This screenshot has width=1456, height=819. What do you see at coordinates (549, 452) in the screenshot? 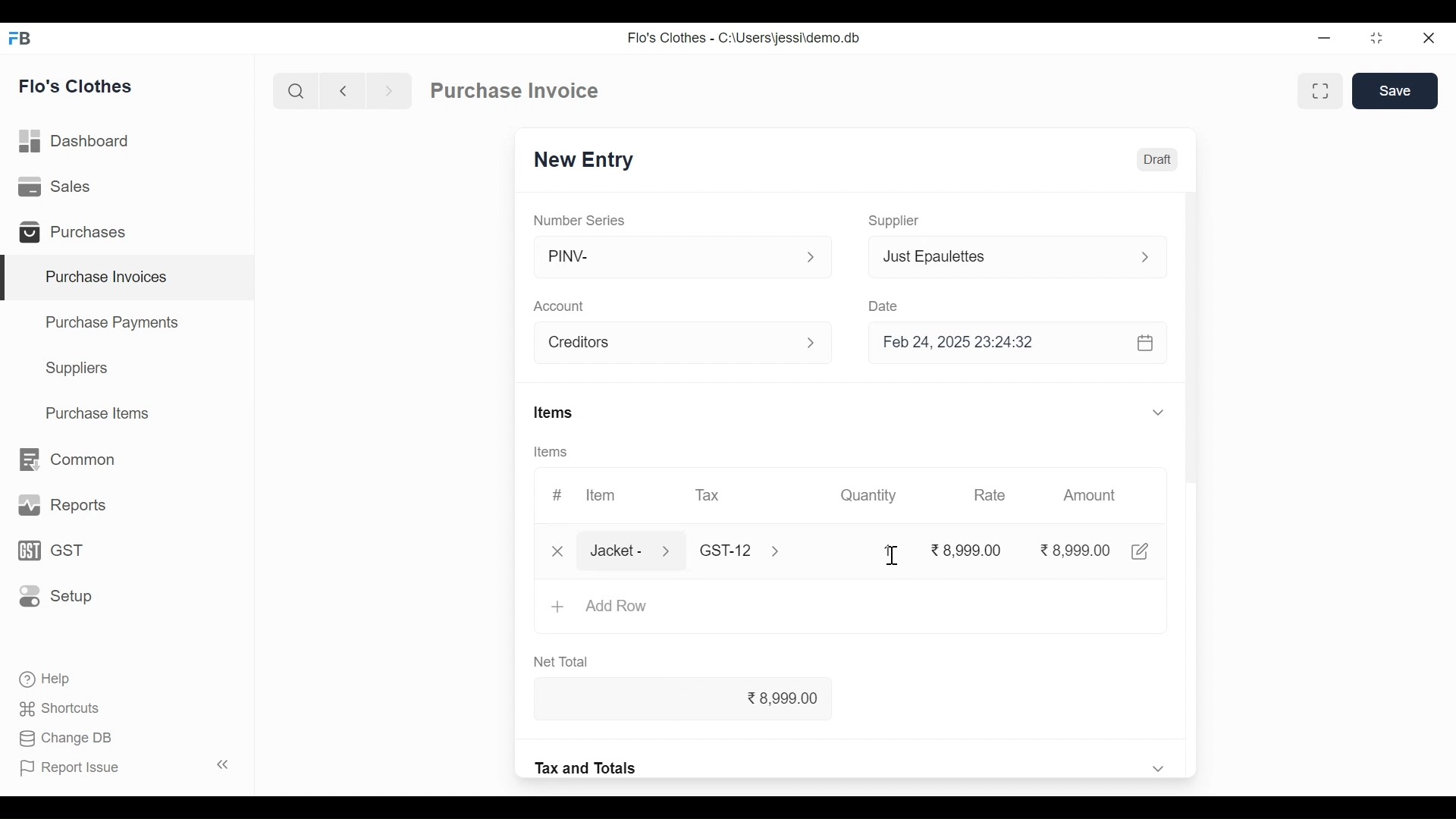
I see `Items` at bounding box center [549, 452].